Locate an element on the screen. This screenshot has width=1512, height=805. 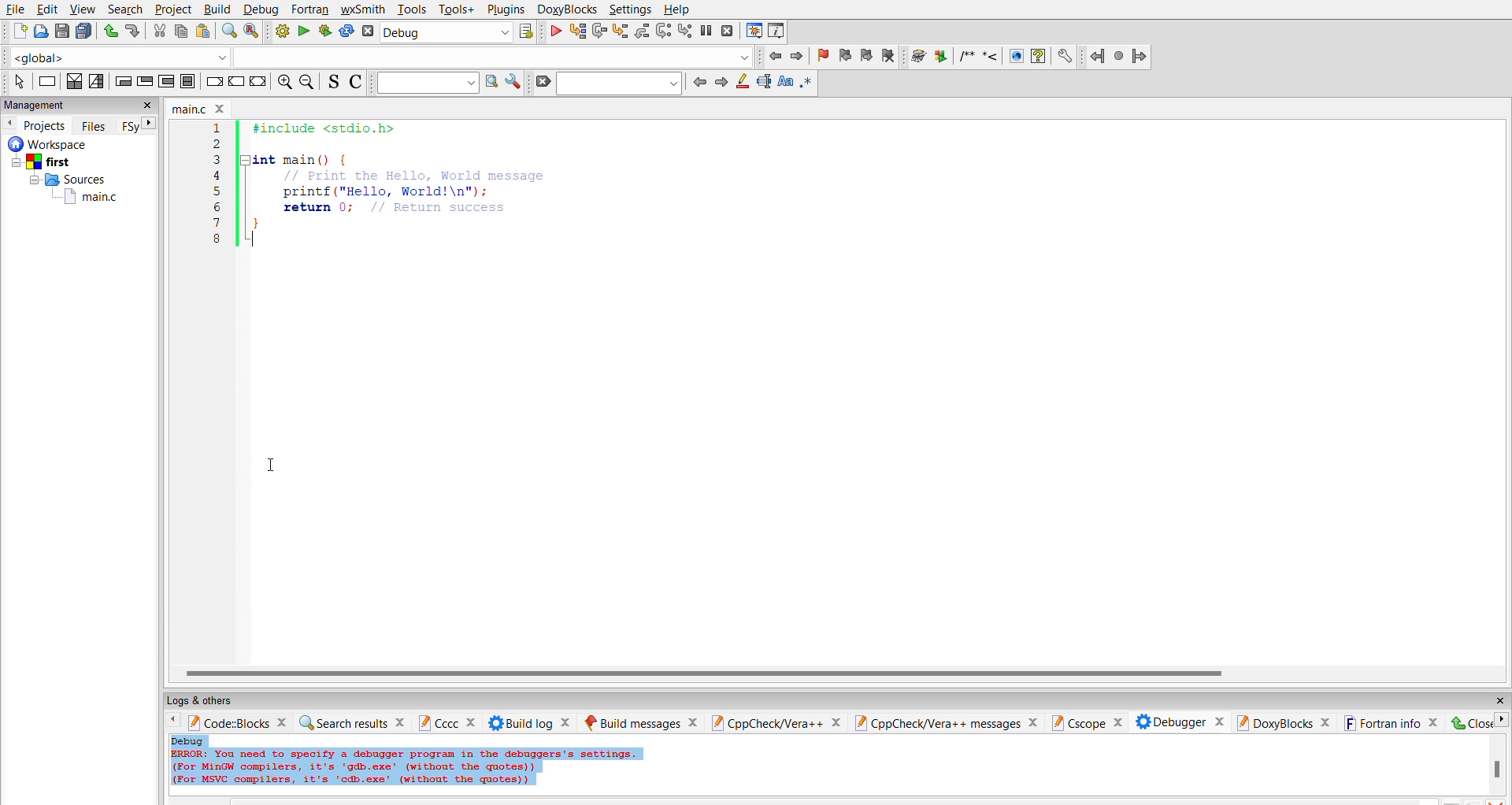
entry condition loop is located at coordinates (123, 83).